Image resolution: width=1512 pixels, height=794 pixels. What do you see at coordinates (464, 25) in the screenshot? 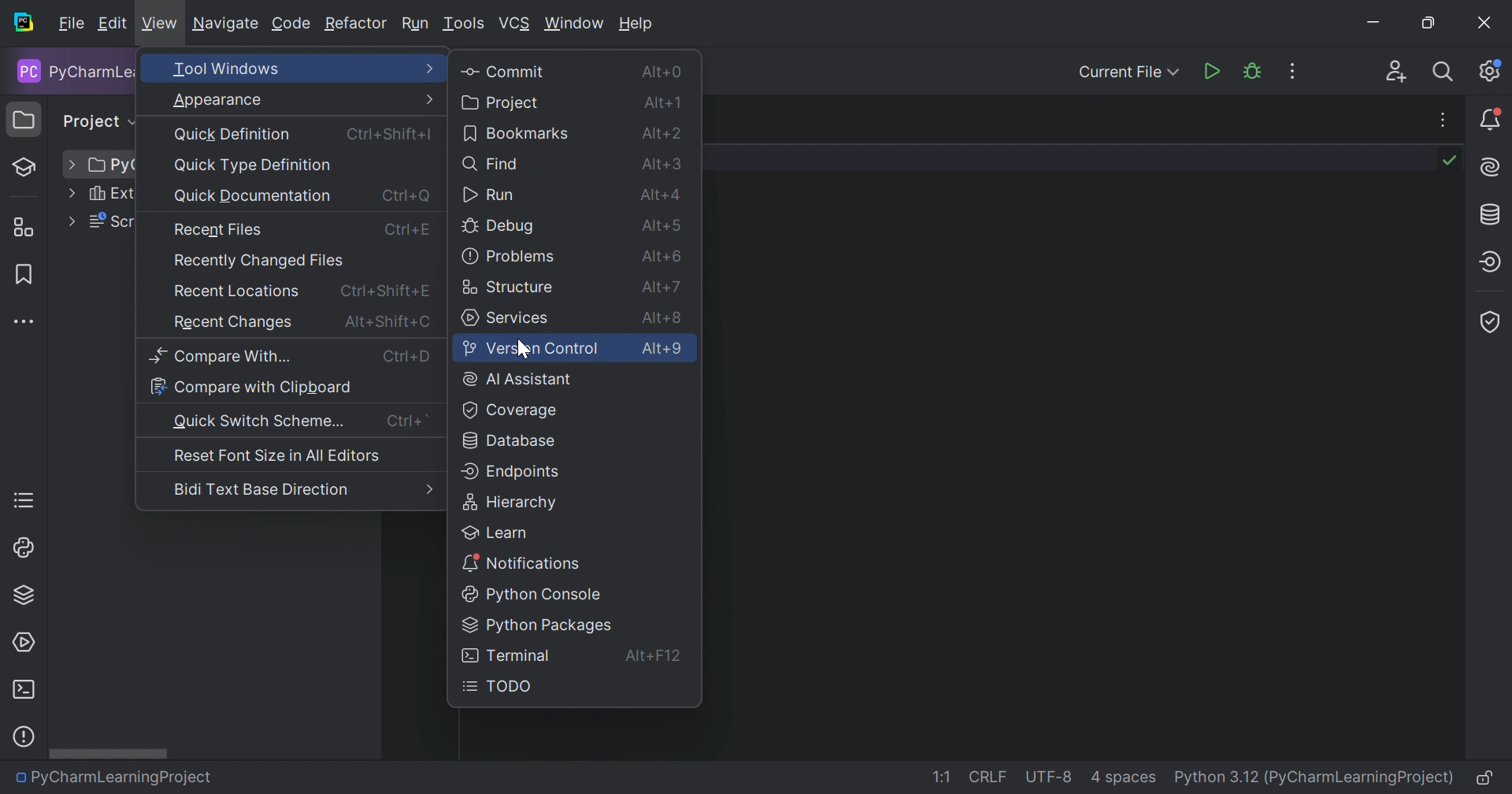
I see `Tools` at bounding box center [464, 25].